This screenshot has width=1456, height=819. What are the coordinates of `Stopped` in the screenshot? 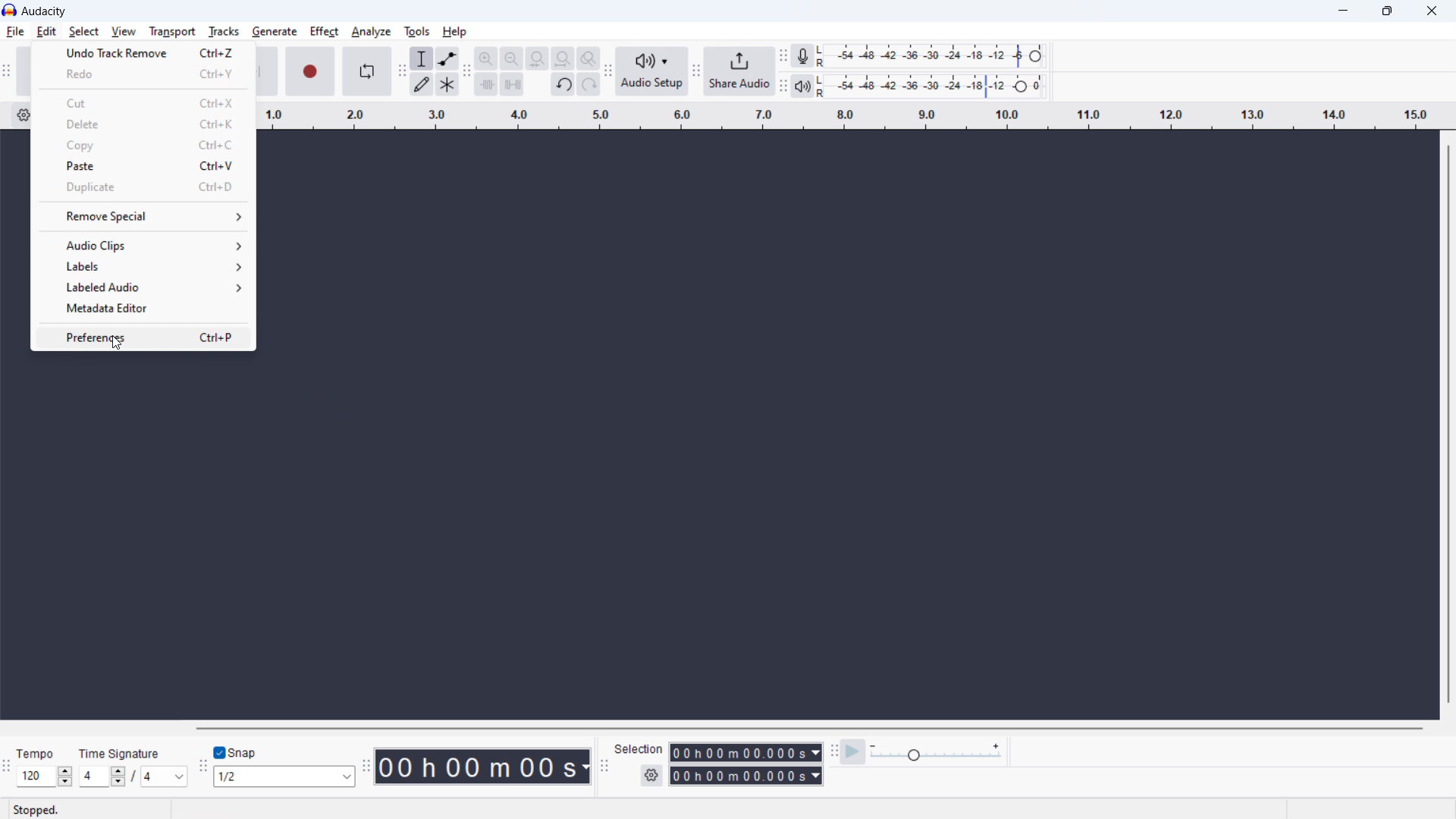 It's located at (39, 809).